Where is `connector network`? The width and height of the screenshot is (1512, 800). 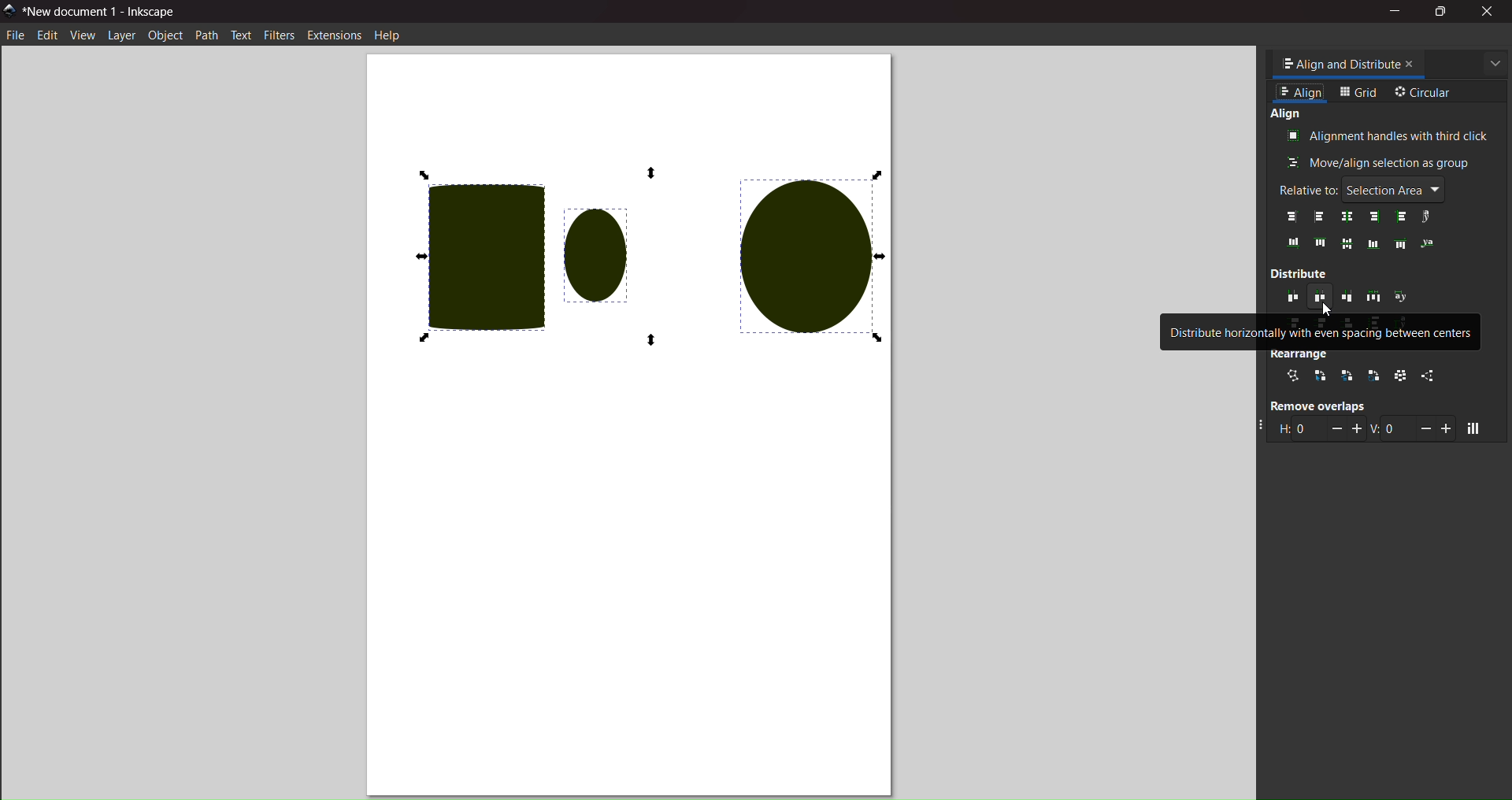
connector network is located at coordinates (1291, 376).